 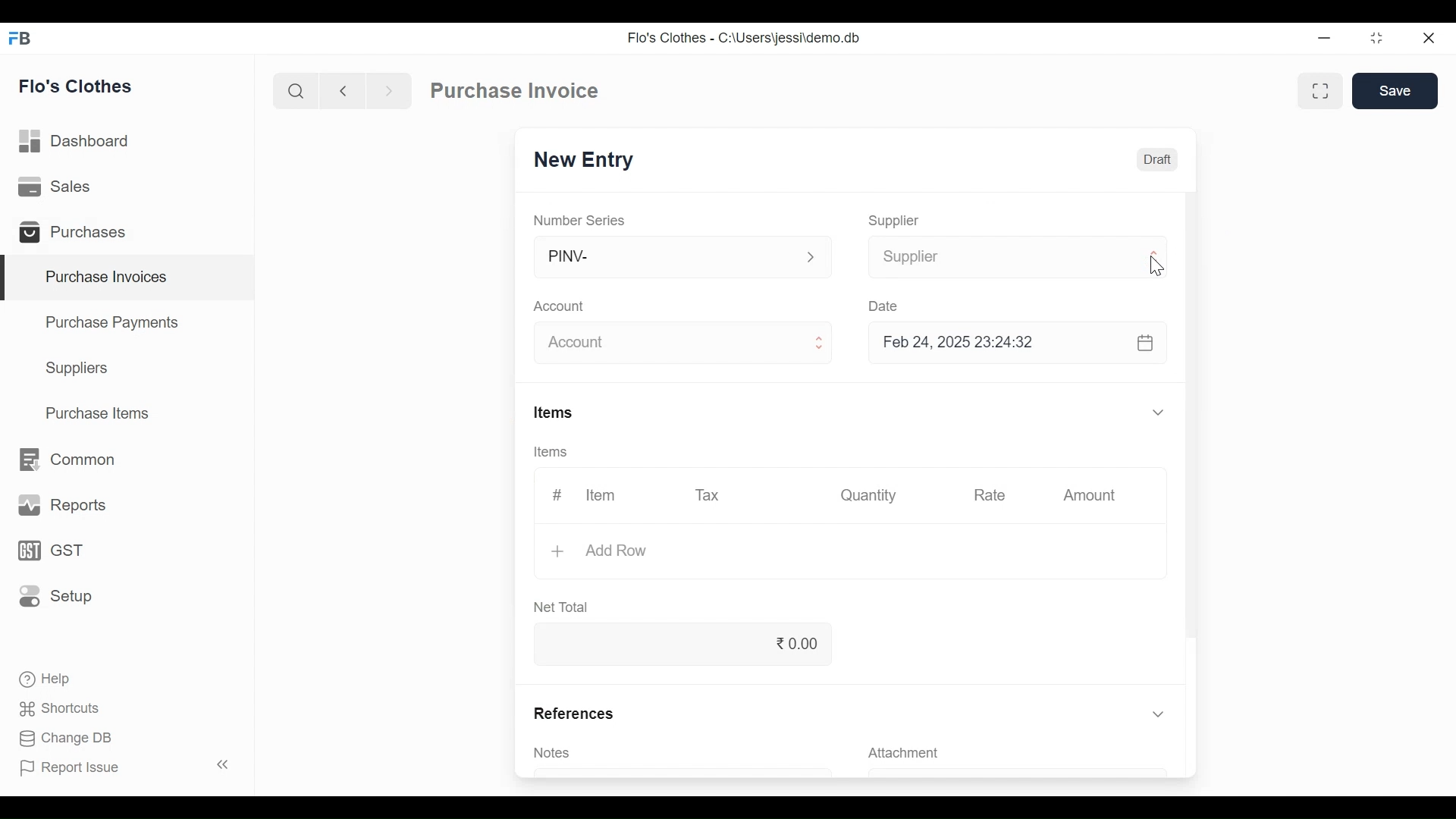 What do you see at coordinates (1317, 93) in the screenshot?
I see `Toggle between form and full width` at bounding box center [1317, 93].